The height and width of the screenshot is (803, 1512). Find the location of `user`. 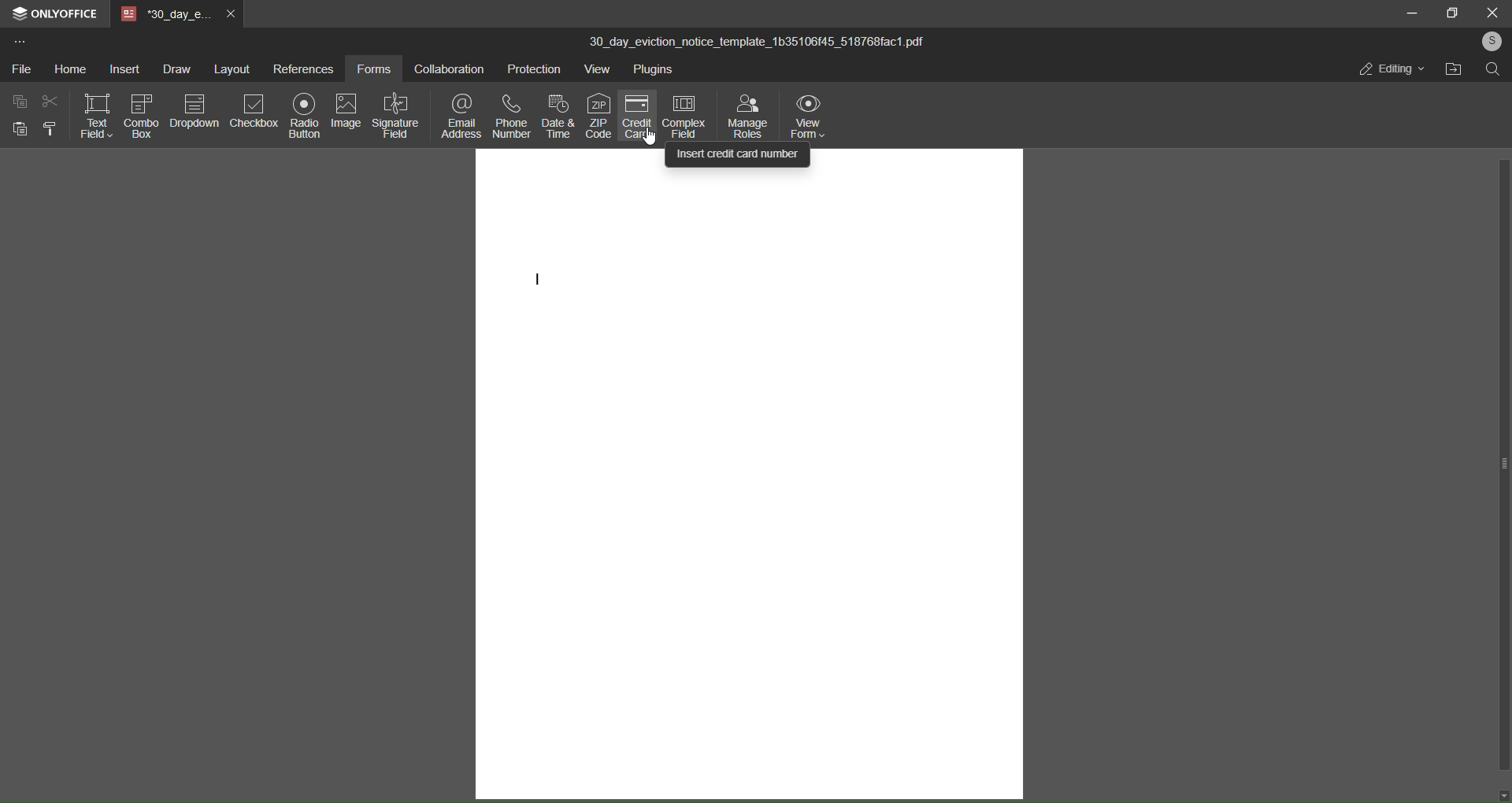

user is located at coordinates (1491, 40).